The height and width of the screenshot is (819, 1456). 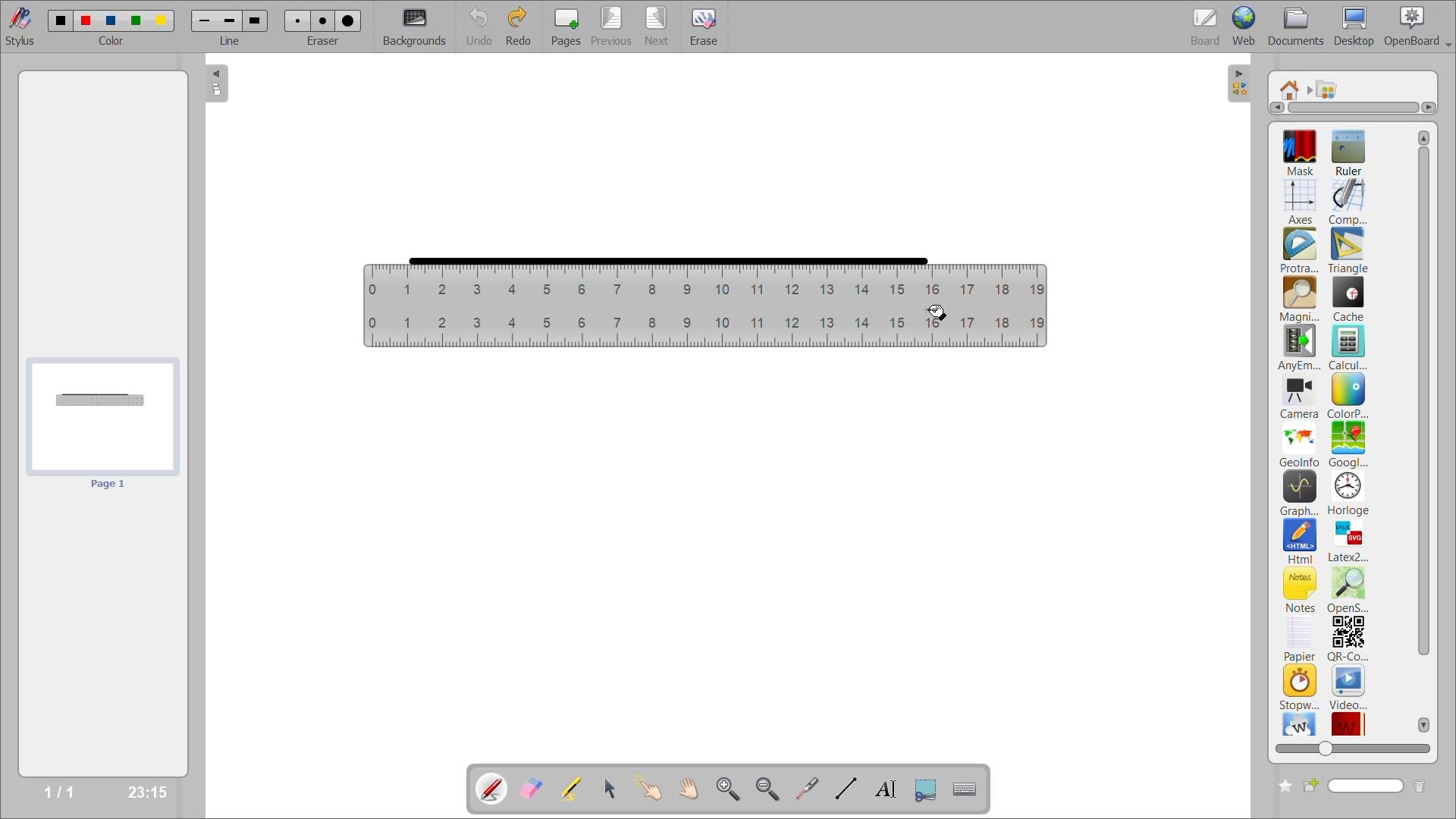 What do you see at coordinates (1300, 398) in the screenshot?
I see `camera` at bounding box center [1300, 398].